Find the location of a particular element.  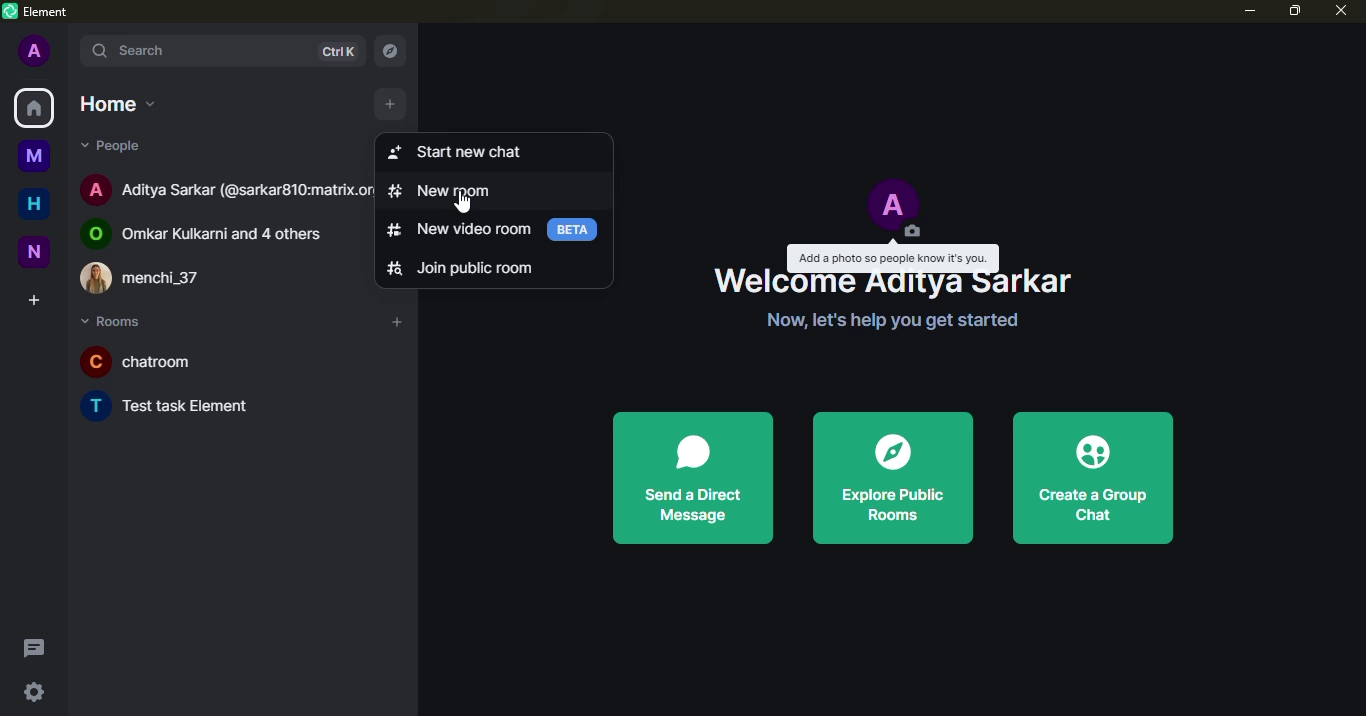

add is located at coordinates (392, 105).